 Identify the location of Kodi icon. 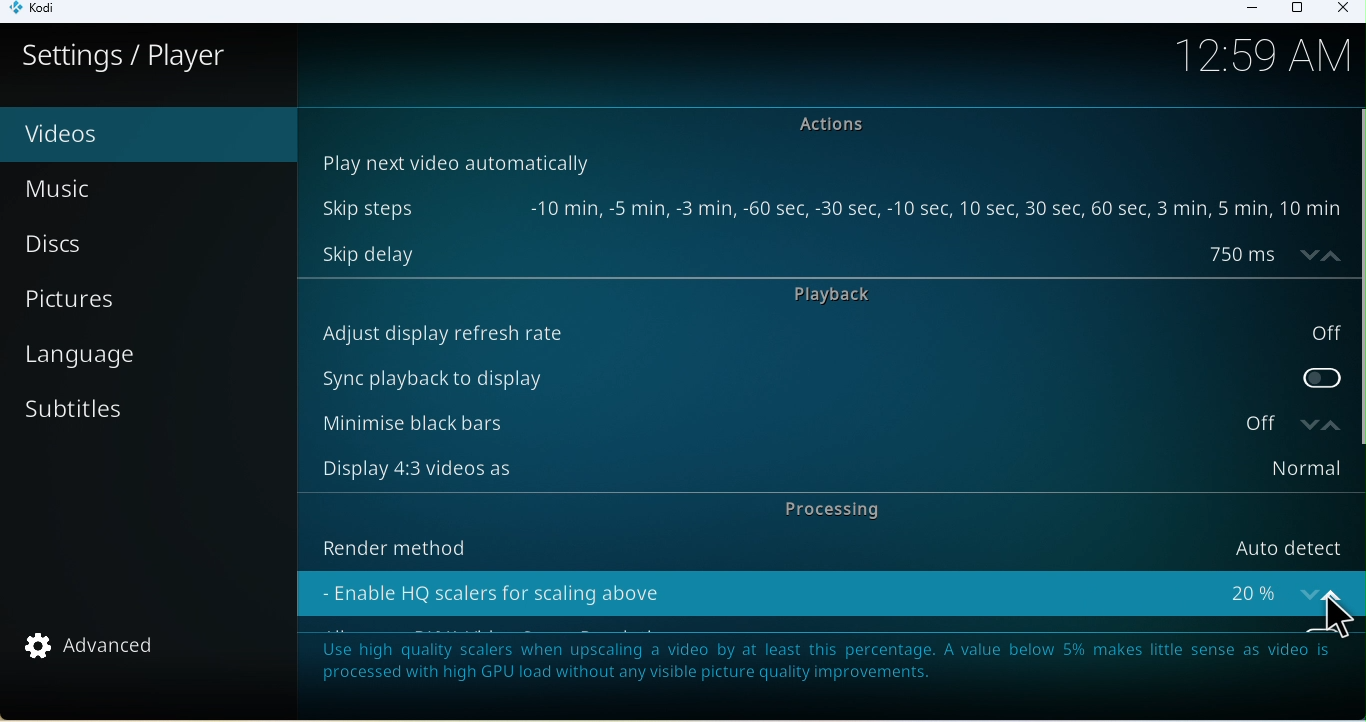
(41, 12).